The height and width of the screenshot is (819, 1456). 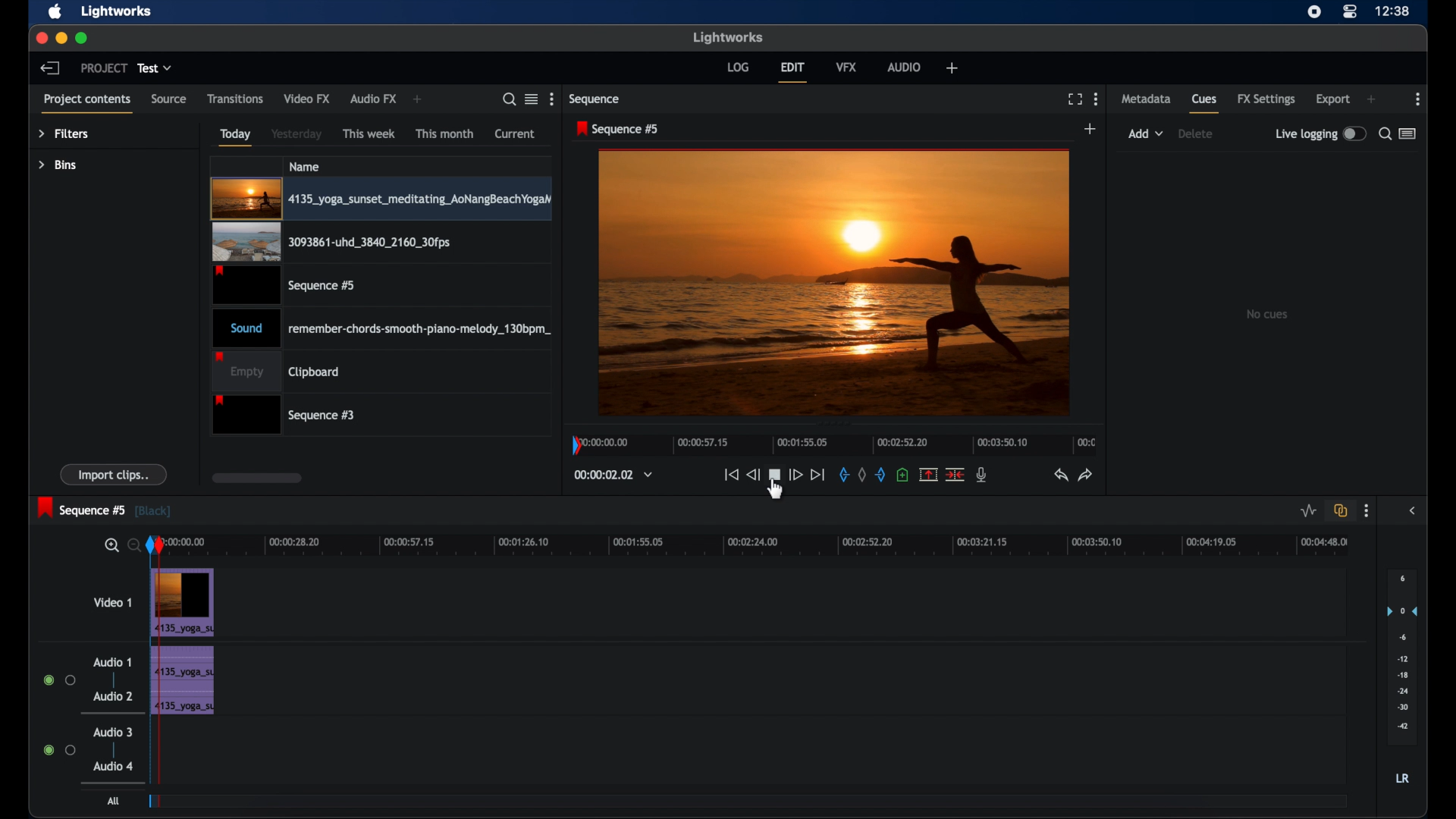 I want to click on cues, so click(x=1206, y=103).